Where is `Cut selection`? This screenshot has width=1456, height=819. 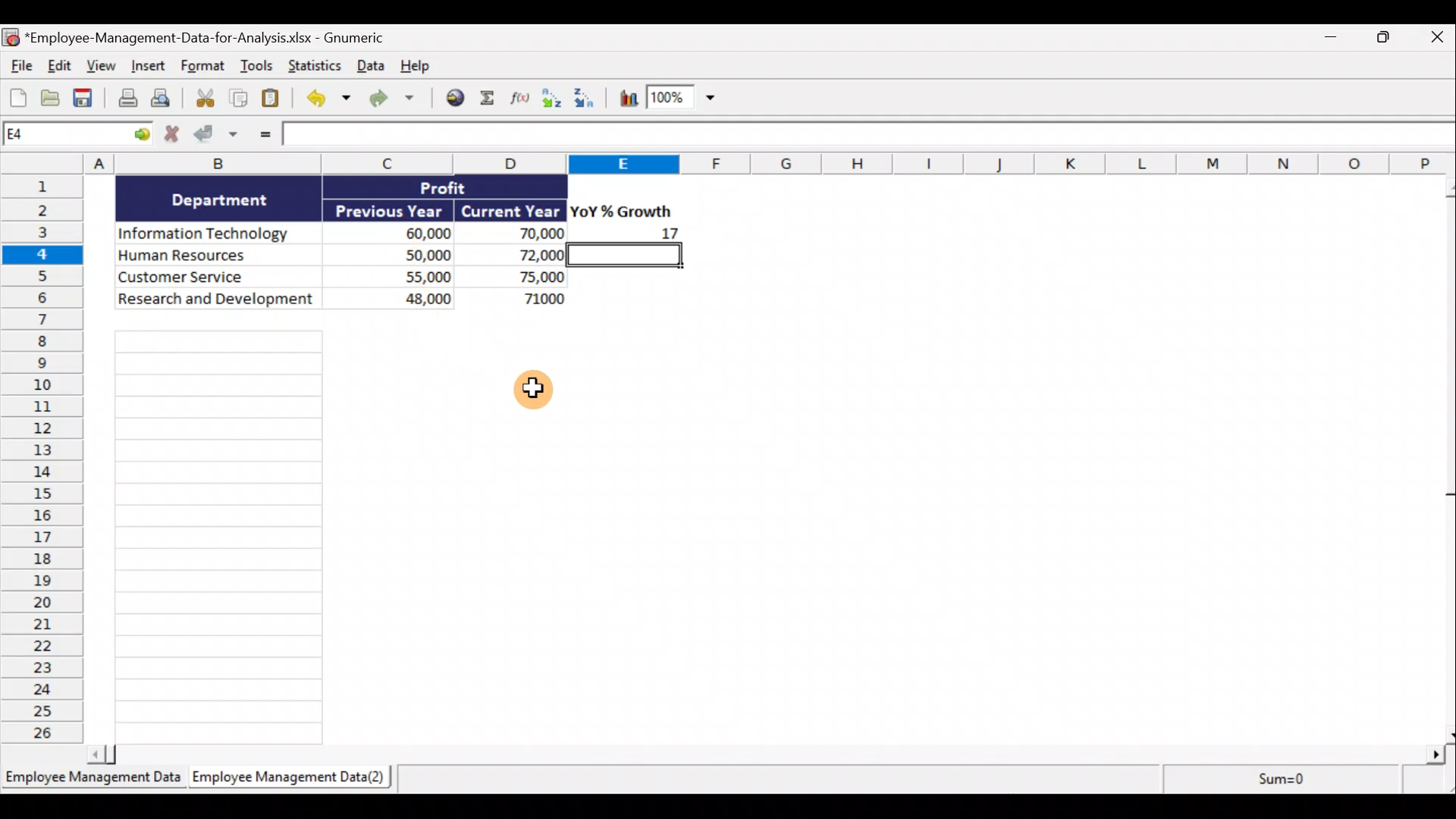 Cut selection is located at coordinates (201, 99).